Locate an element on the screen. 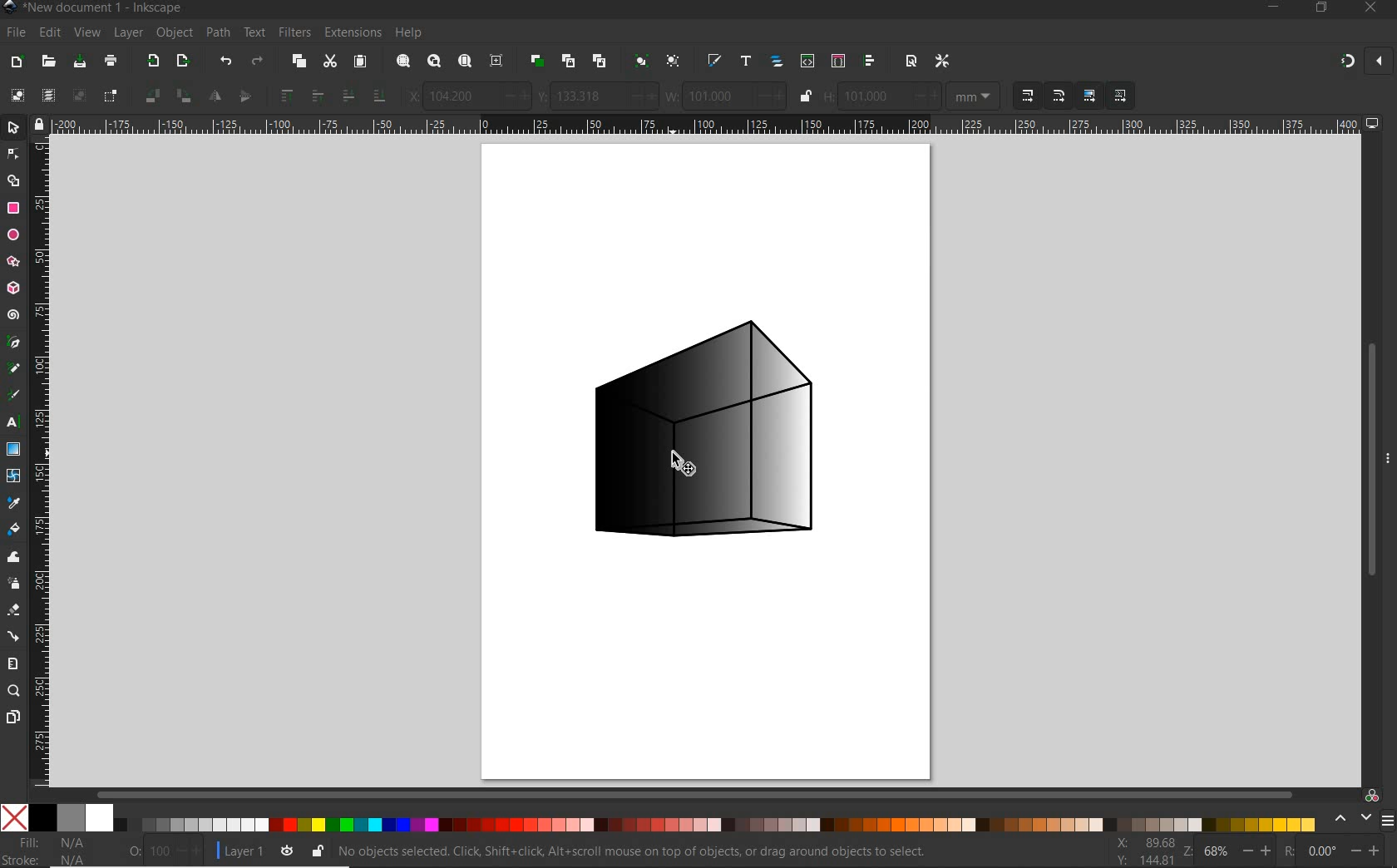 The image size is (1397, 868). increase/decrease is located at coordinates (513, 96).